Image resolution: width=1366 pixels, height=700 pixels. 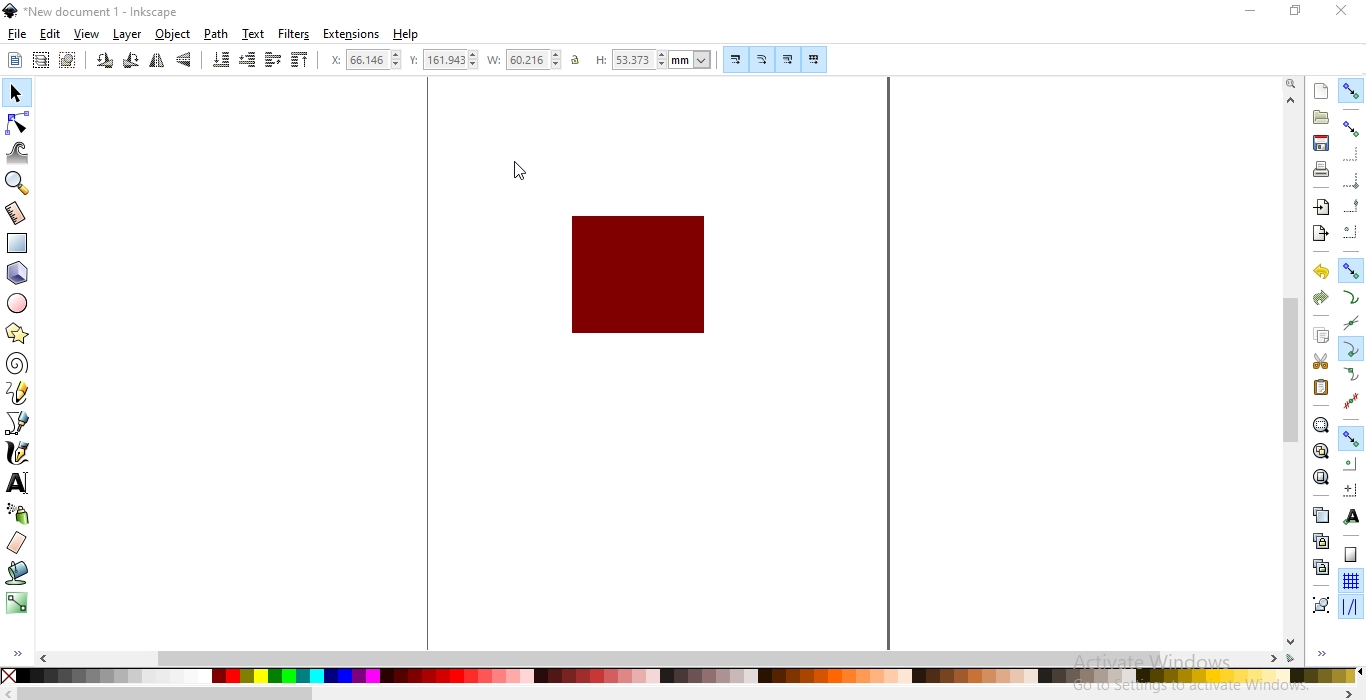 I want to click on erase existing paths, so click(x=17, y=544).